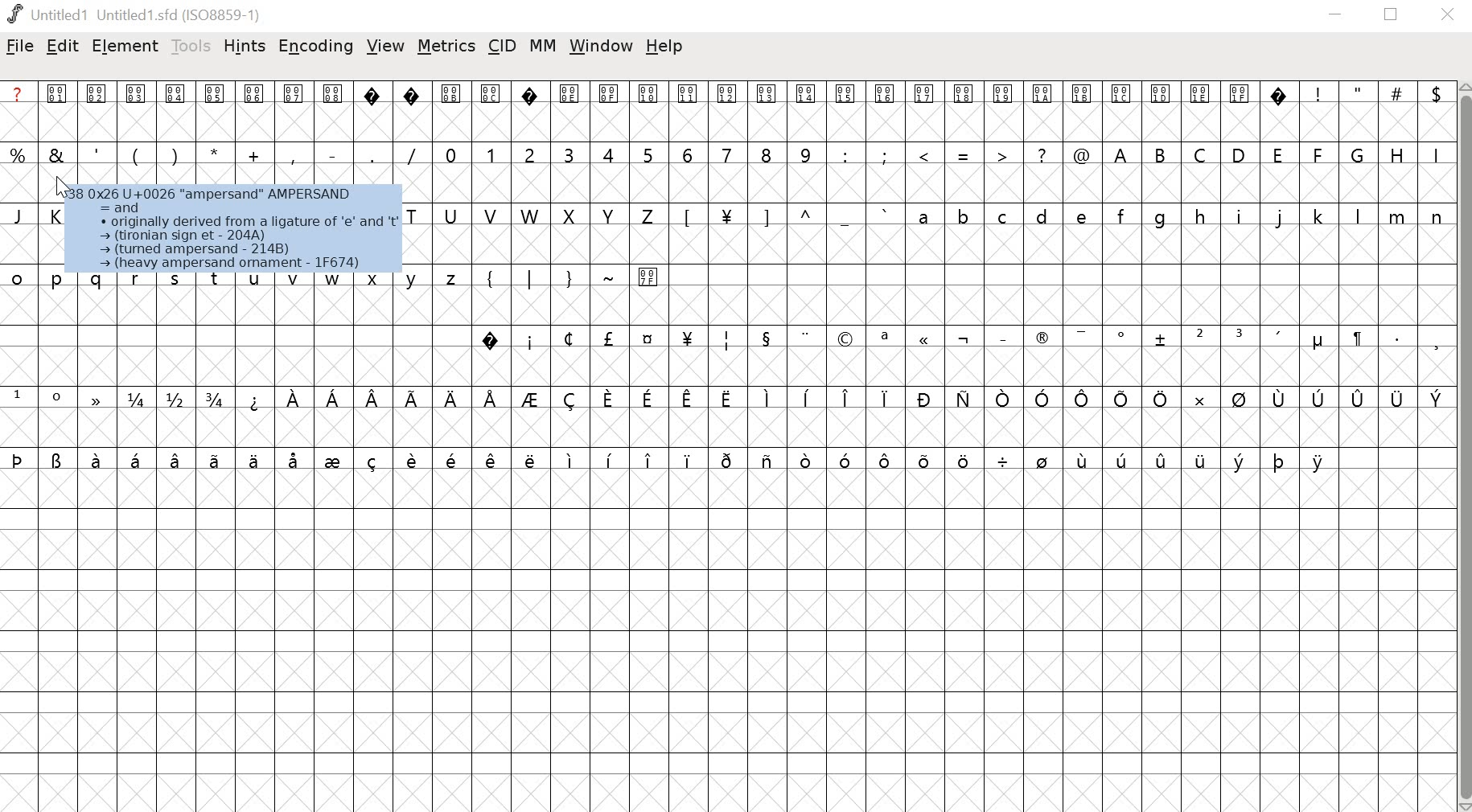 This screenshot has width=1472, height=812. I want to click on b, so click(966, 215).